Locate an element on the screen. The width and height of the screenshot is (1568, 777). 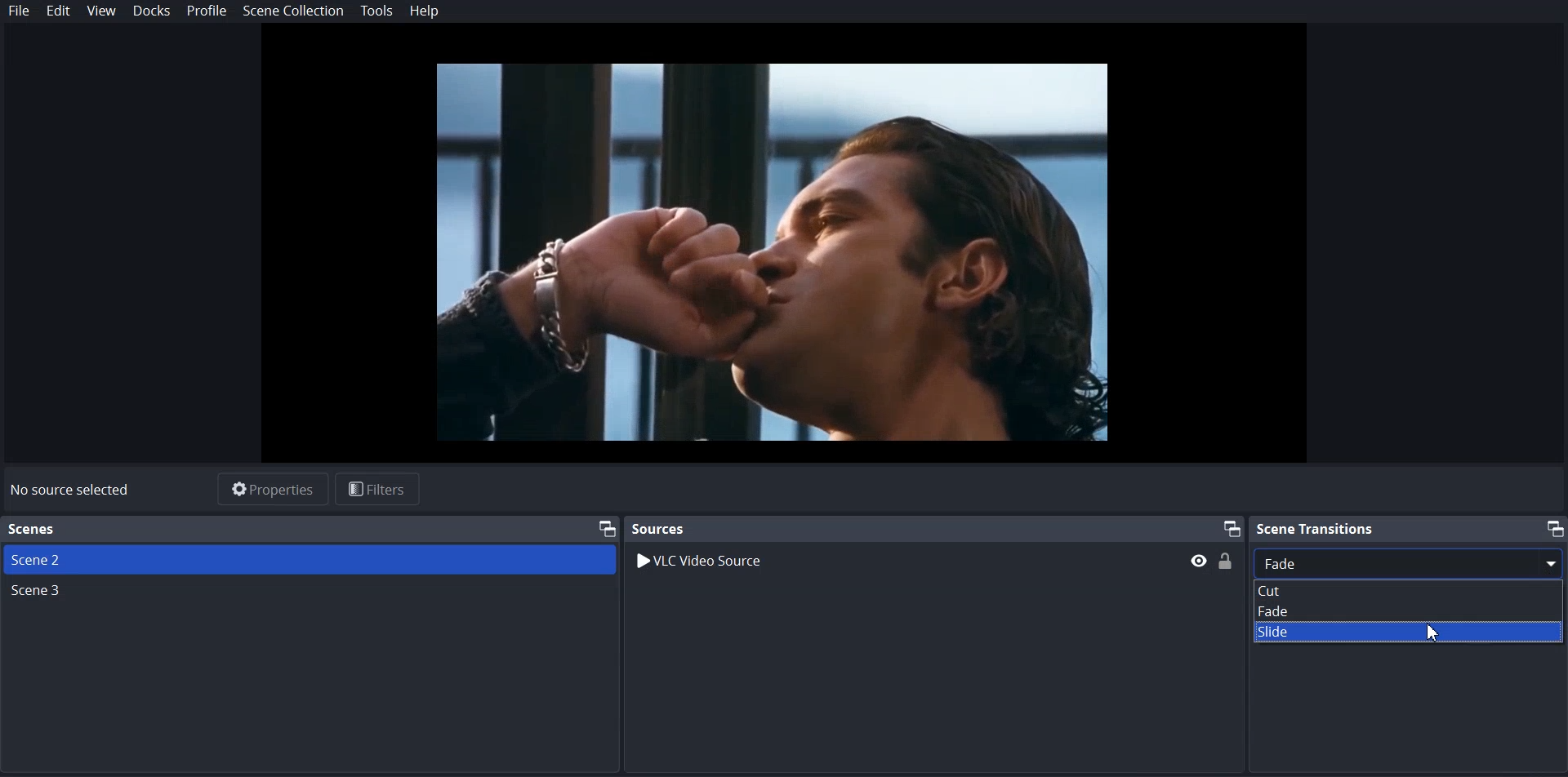
Profile is located at coordinates (207, 11).